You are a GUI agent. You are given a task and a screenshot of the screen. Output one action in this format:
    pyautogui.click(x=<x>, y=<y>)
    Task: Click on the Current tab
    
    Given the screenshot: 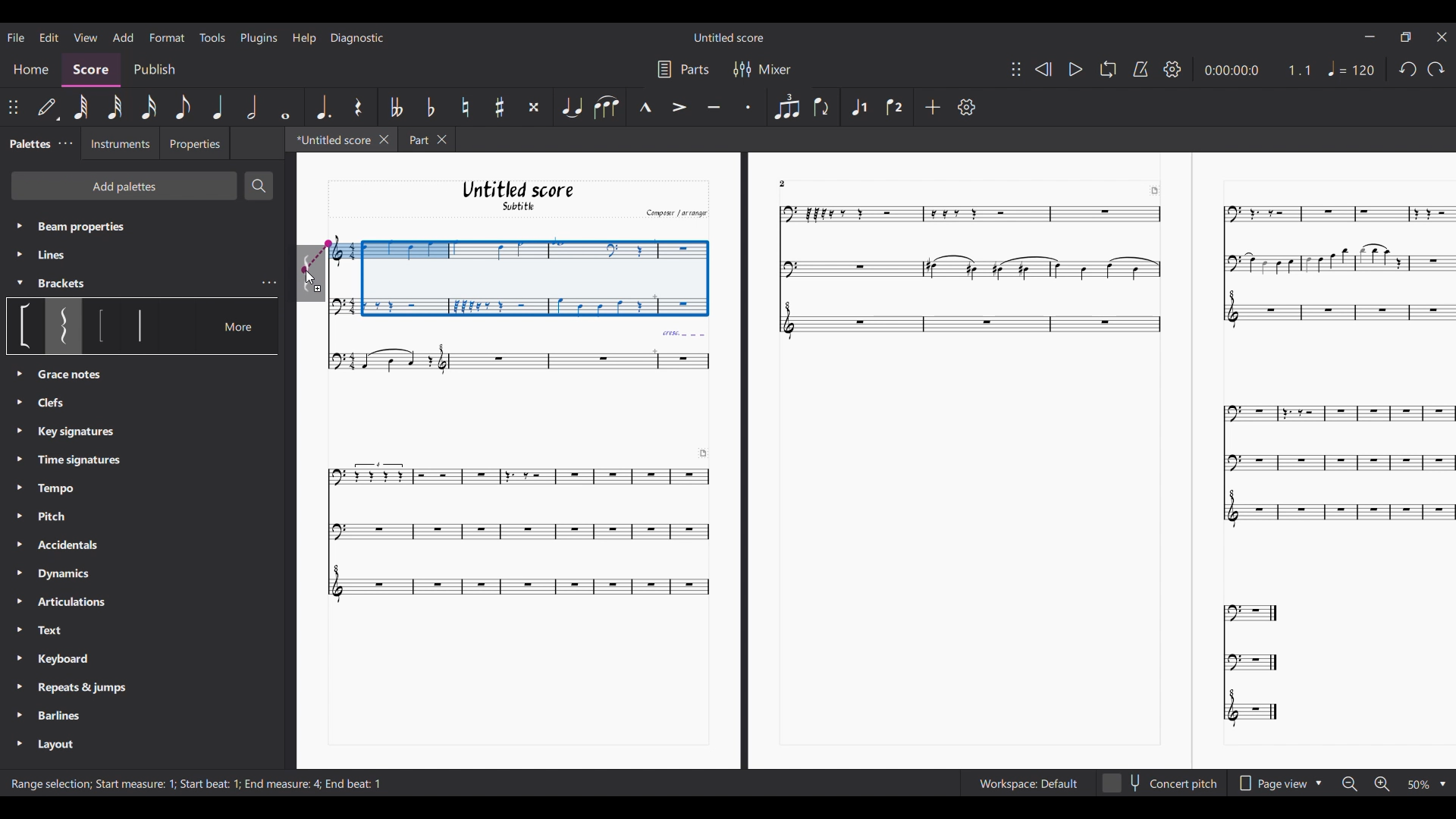 What is the action you would take?
    pyautogui.click(x=331, y=139)
    